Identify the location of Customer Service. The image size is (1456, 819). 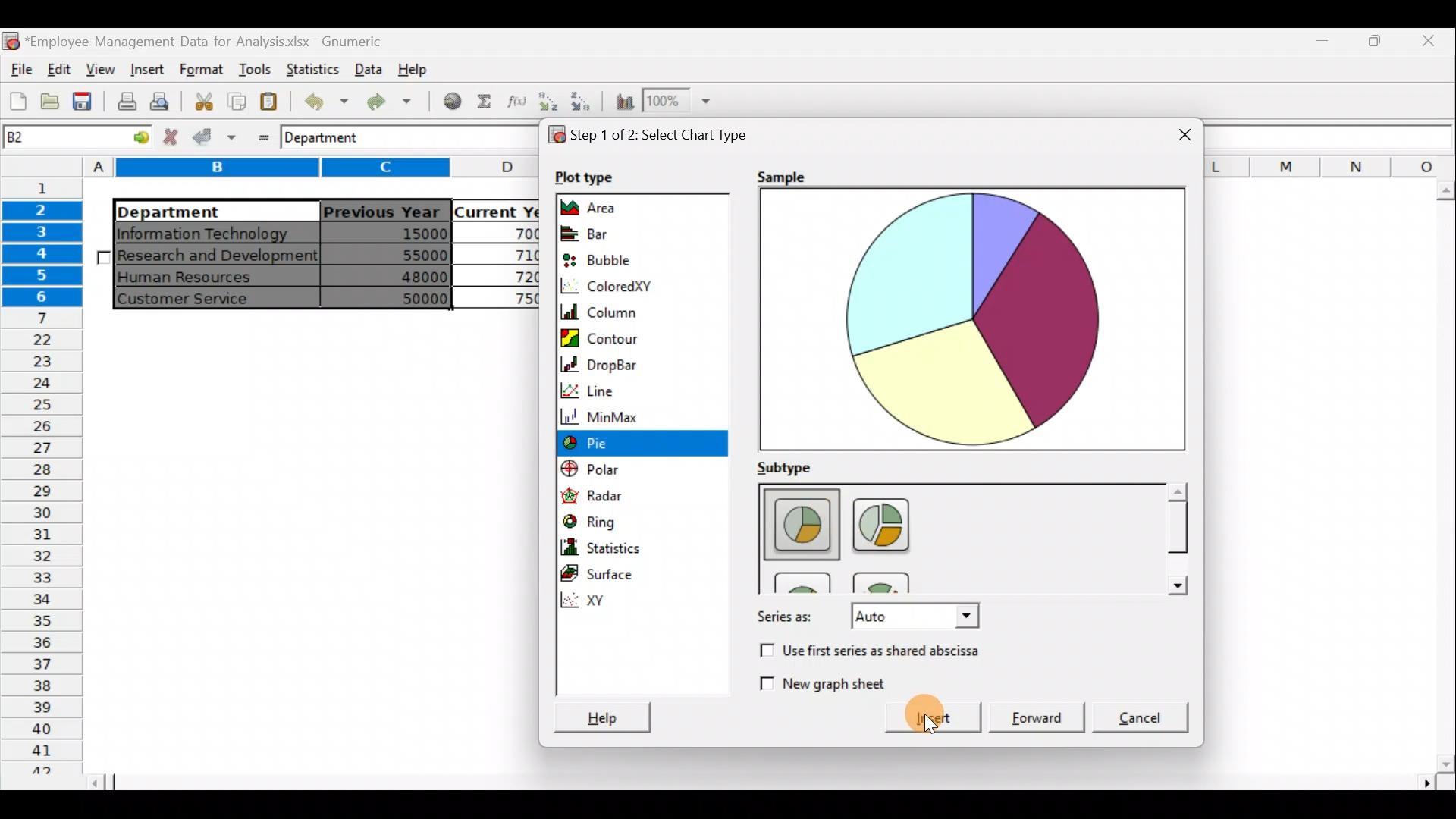
(201, 299).